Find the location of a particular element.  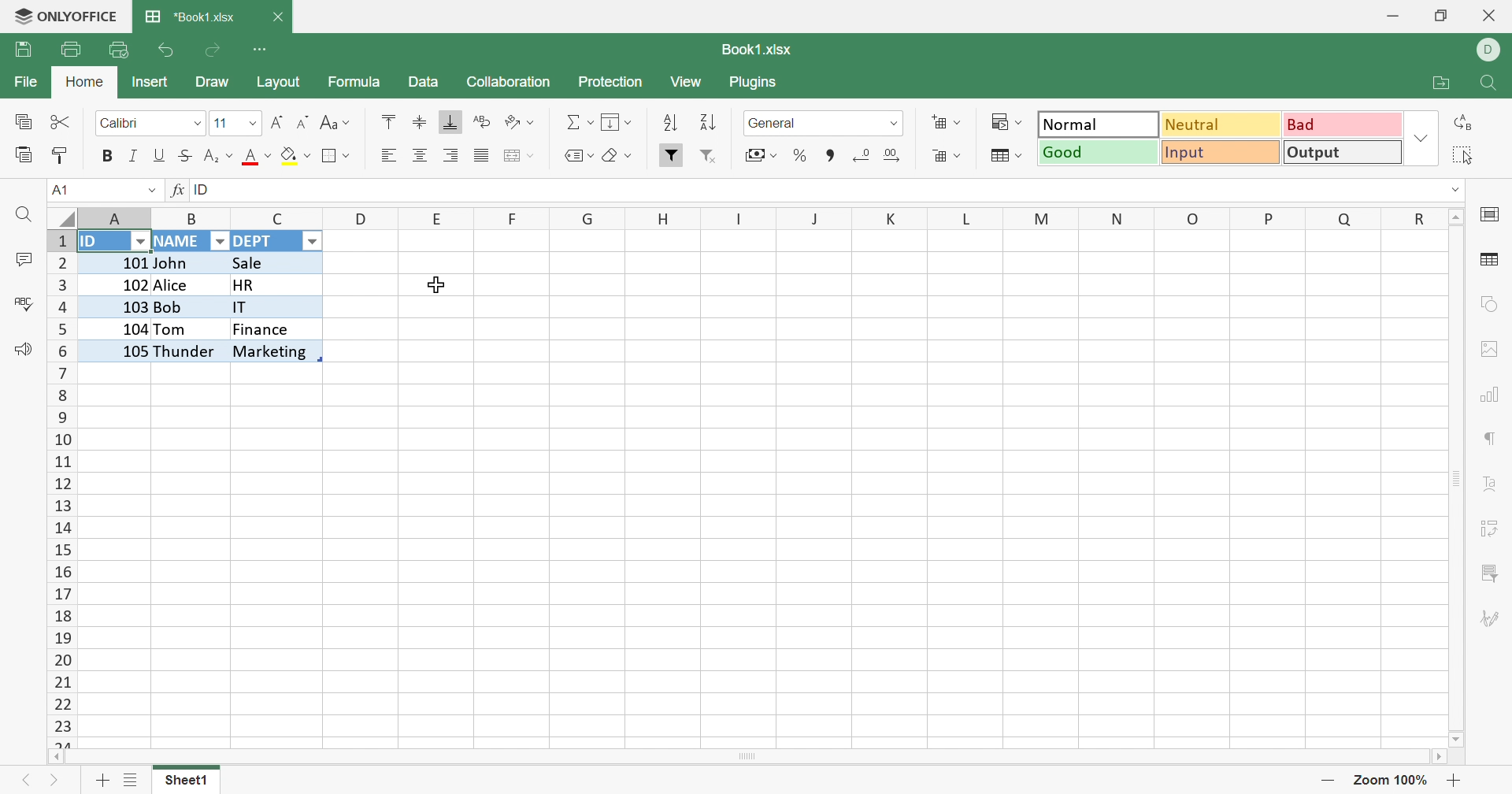

Formula is located at coordinates (356, 82).